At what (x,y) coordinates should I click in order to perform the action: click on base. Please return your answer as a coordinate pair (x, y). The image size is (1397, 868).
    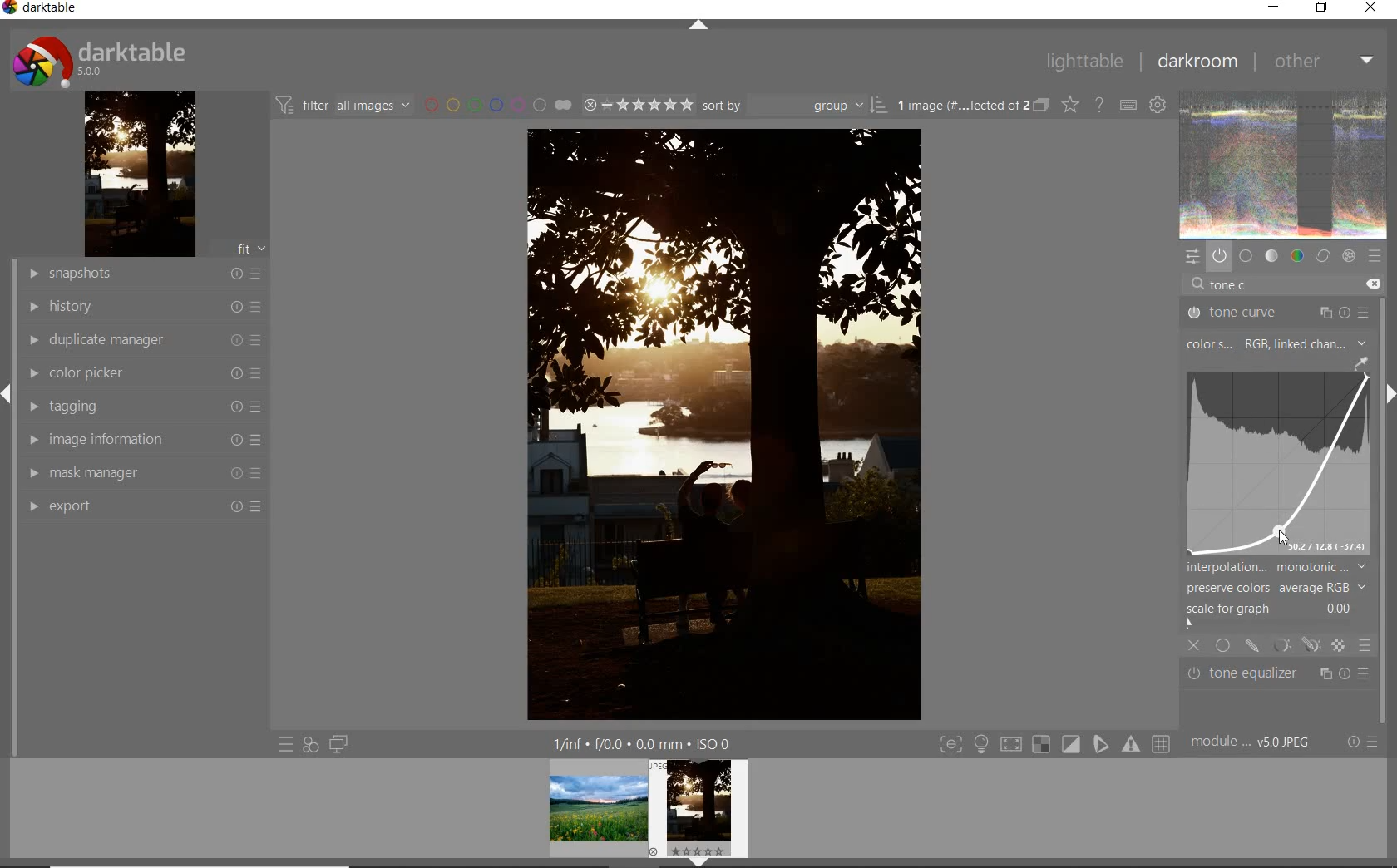
    Looking at the image, I should click on (1246, 255).